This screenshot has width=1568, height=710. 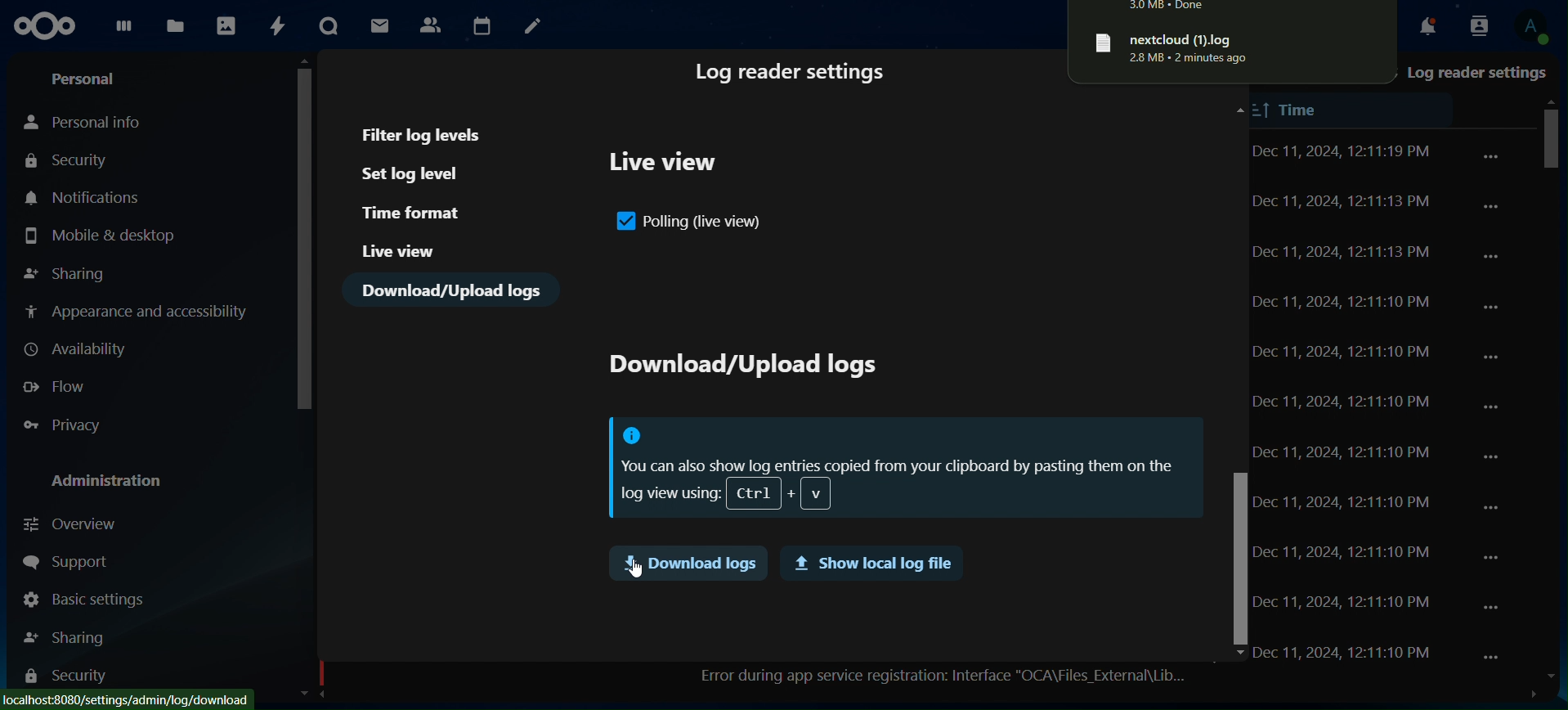 What do you see at coordinates (687, 563) in the screenshot?
I see `download logs` at bounding box center [687, 563].